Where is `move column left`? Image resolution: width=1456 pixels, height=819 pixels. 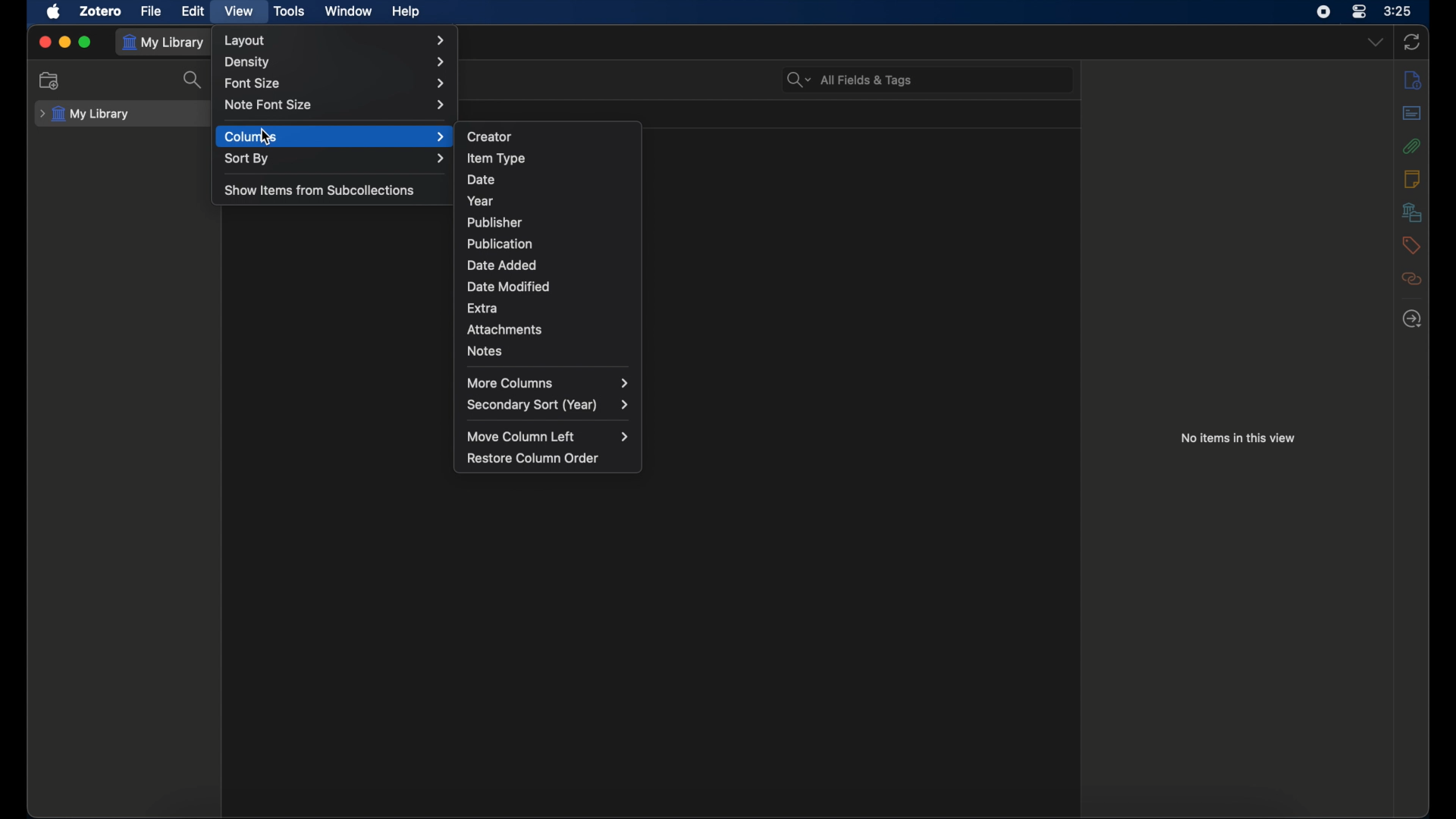 move column left is located at coordinates (548, 436).